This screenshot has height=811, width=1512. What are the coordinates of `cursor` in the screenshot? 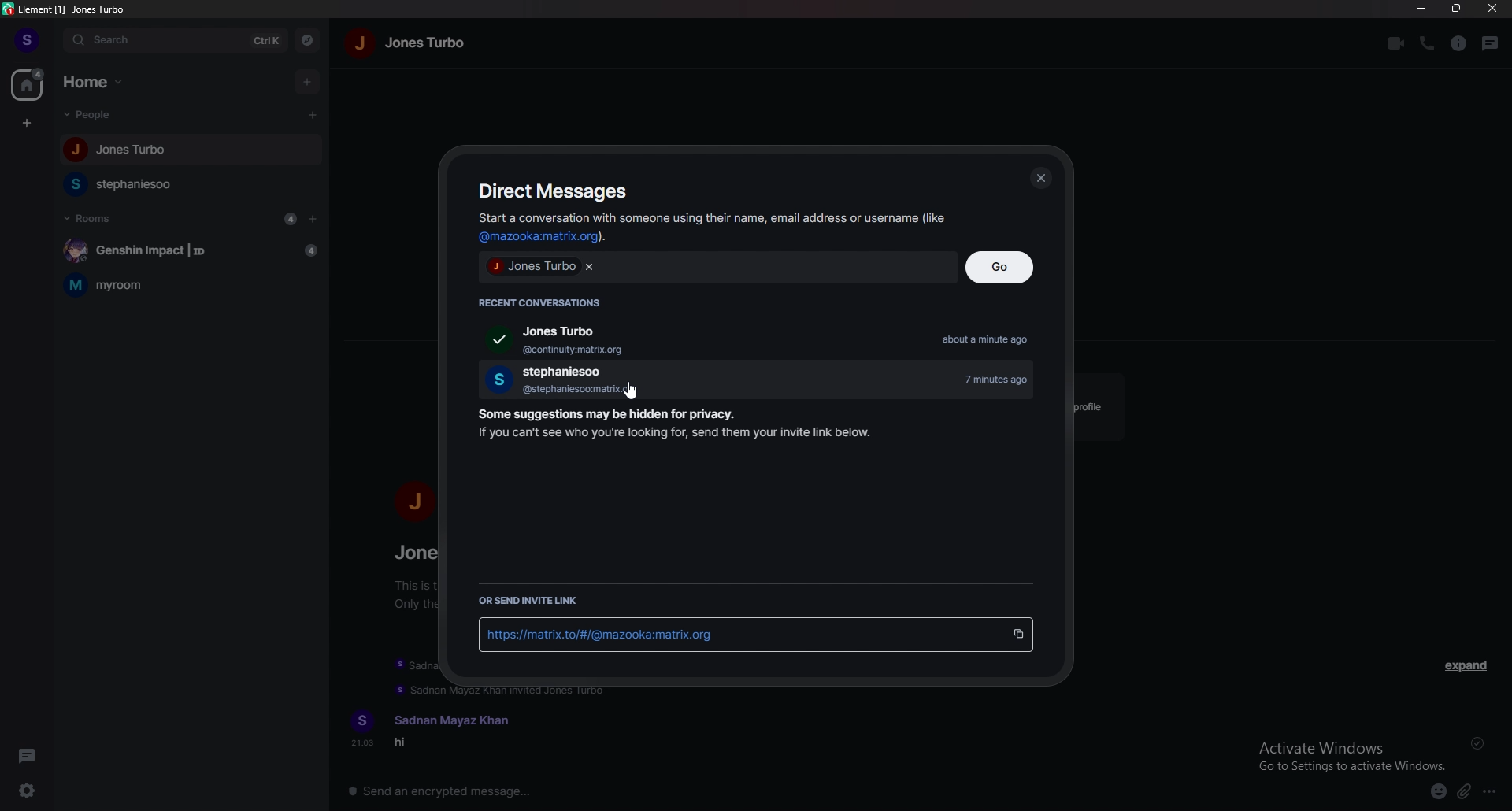 It's located at (310, 115).